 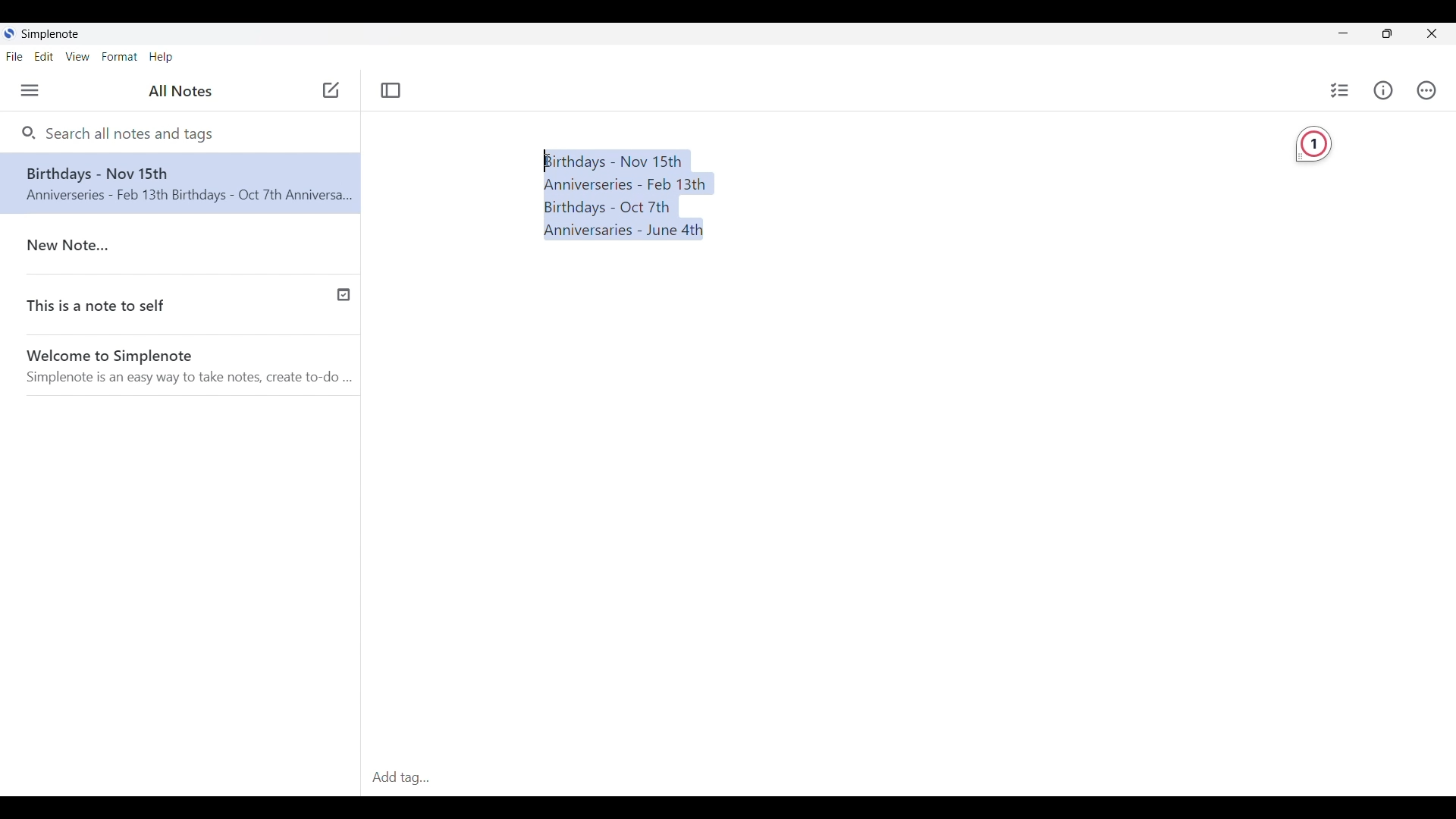 I want to click on Birthdays and Anniversaries date(Text selected), so click(x=626, y=196).